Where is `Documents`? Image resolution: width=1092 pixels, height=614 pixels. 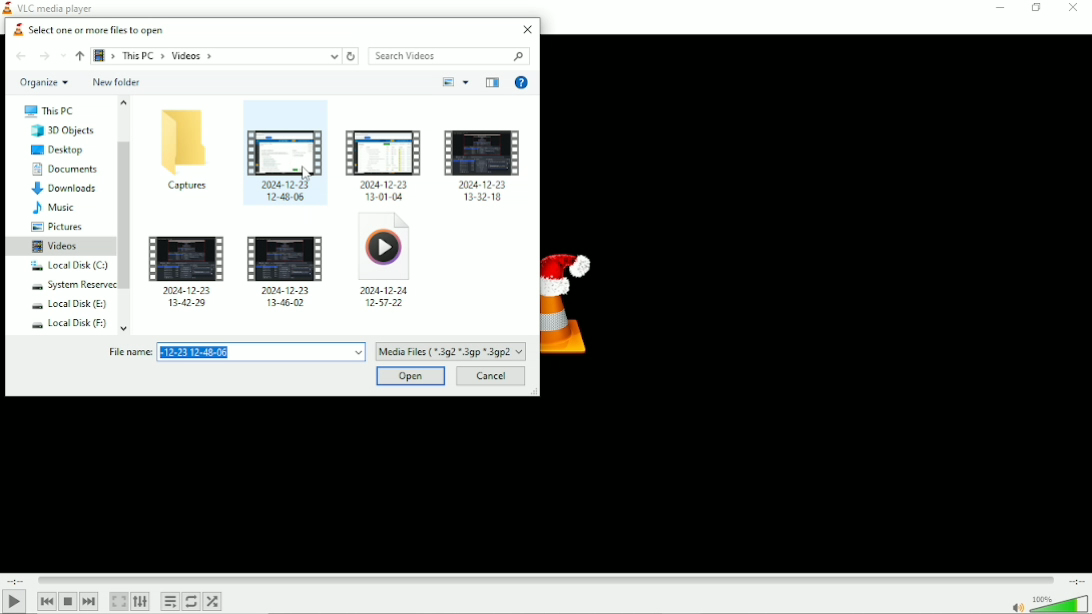
Documents is located at coordinates (64, 169).